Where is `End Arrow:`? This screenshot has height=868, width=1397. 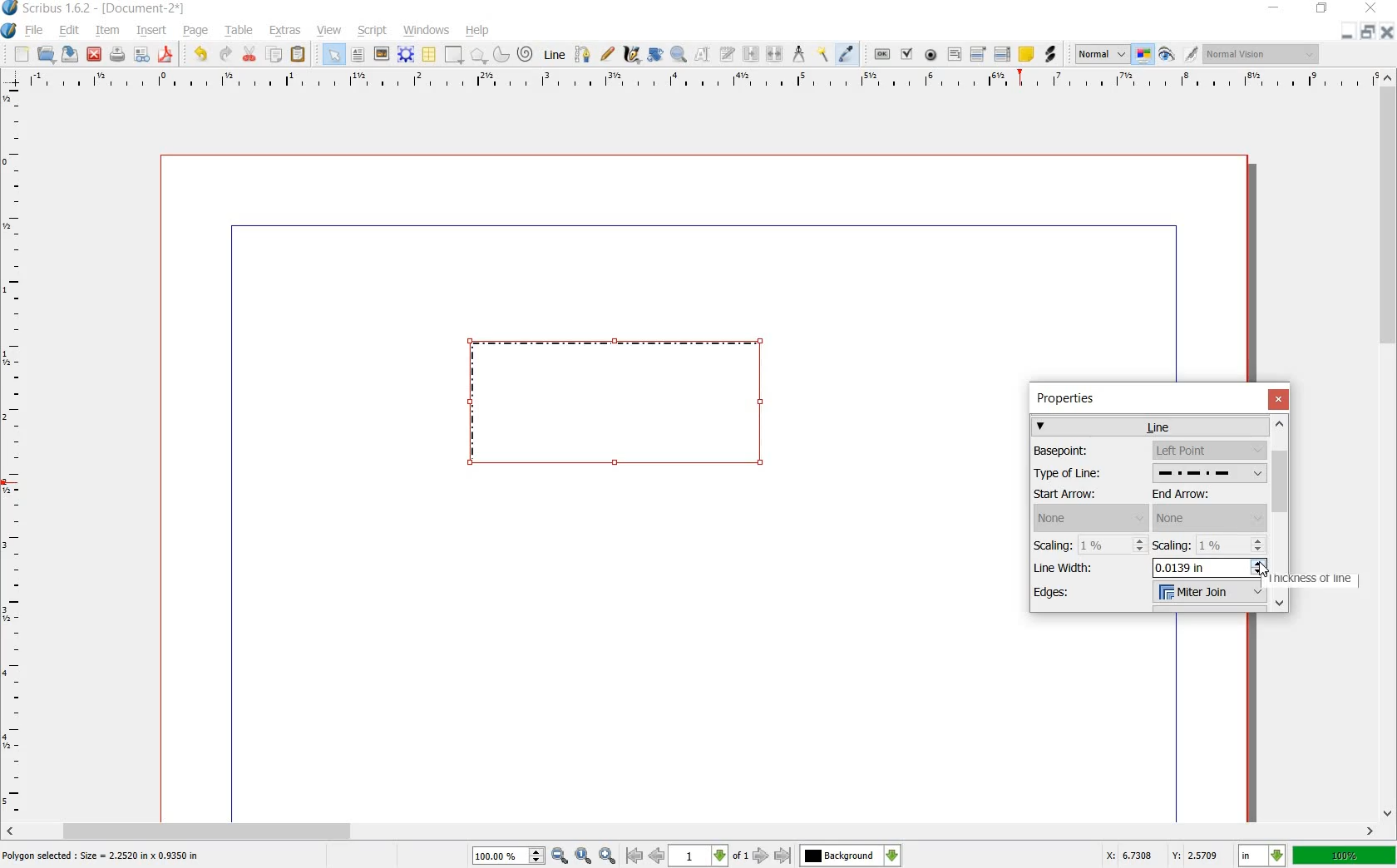 End Arrow: is located at coordinates (1197, 495).